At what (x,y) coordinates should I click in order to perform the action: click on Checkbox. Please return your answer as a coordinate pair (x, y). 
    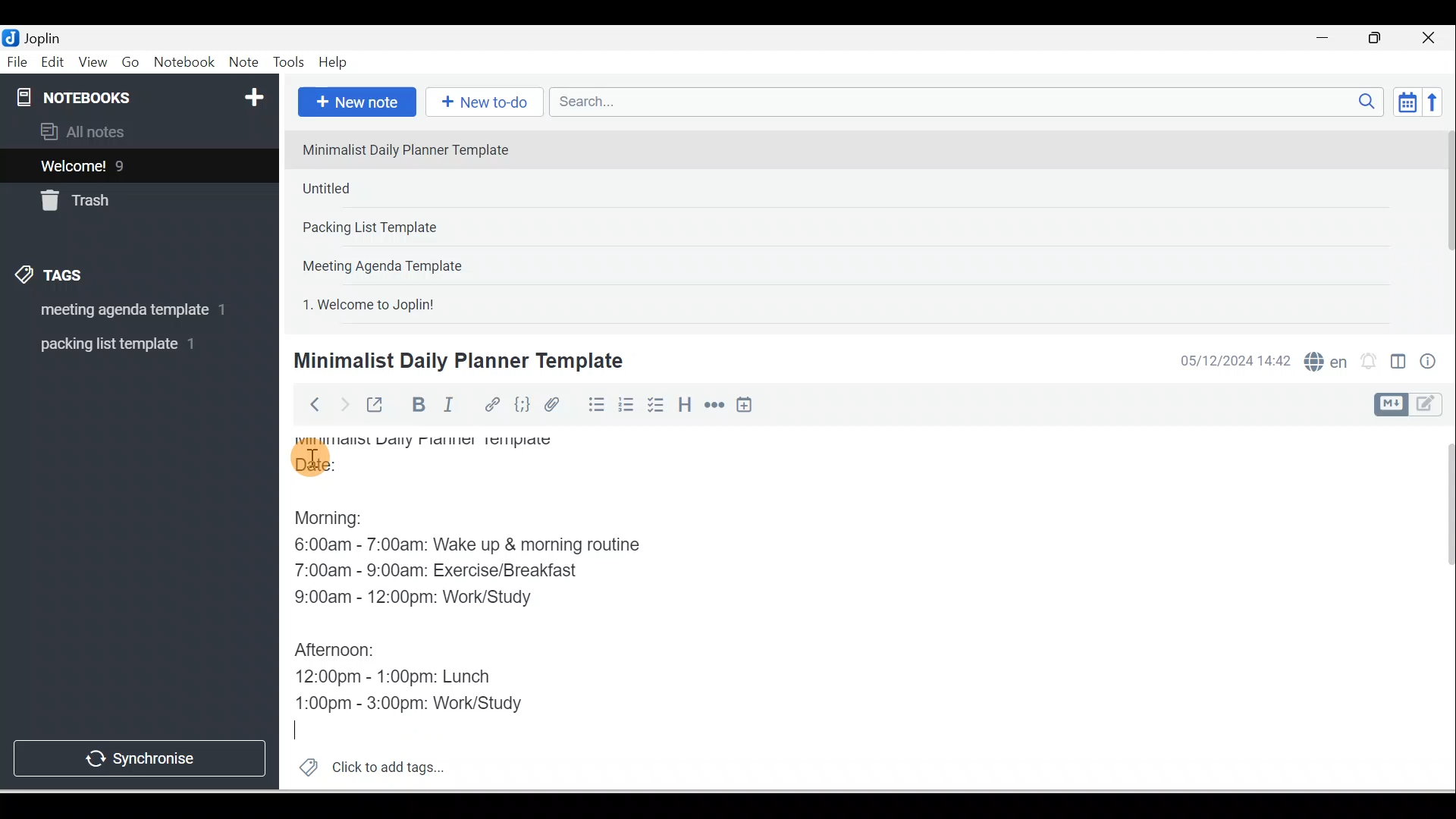
    Looking at the image, I should click on (654, 405).